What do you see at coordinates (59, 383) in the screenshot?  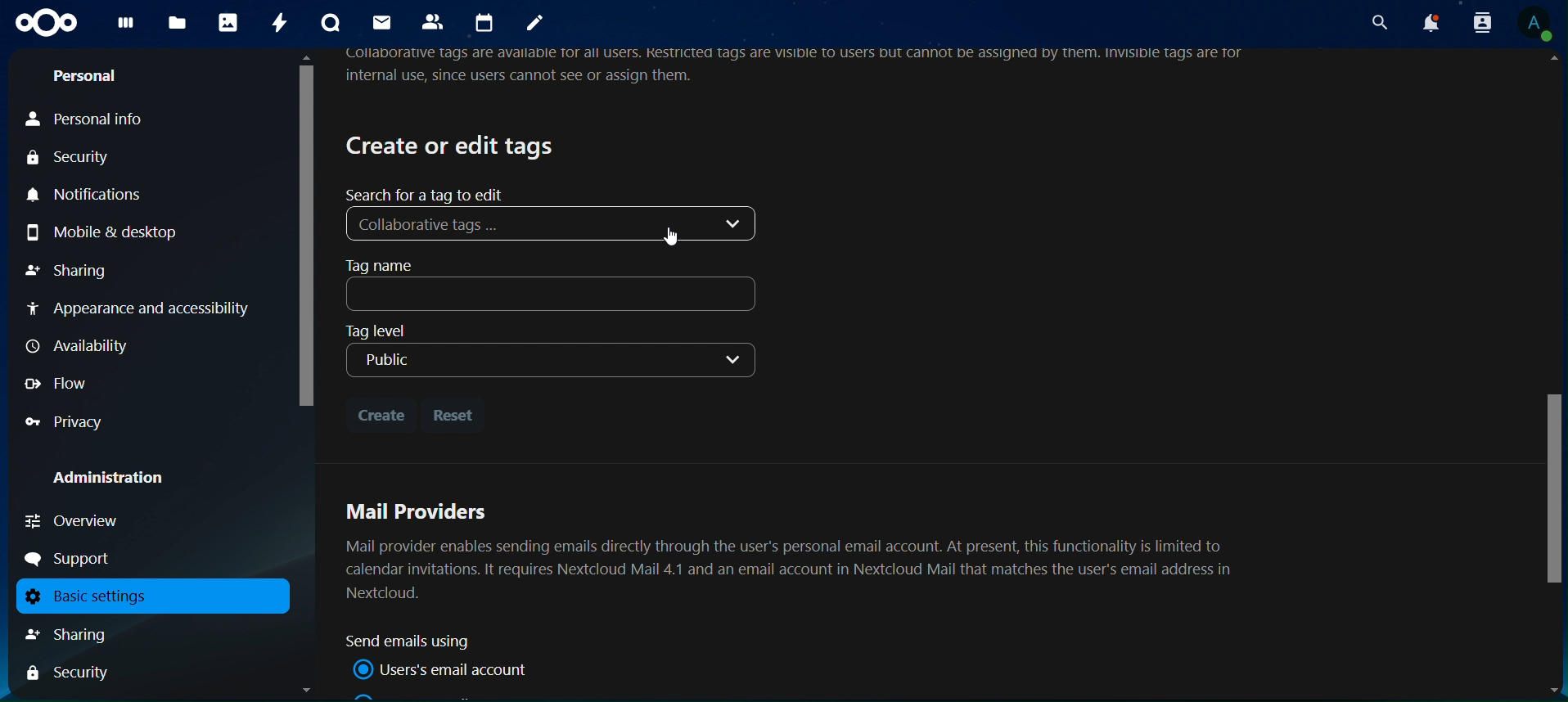 I see `flow` at bounding box center [59, 383].